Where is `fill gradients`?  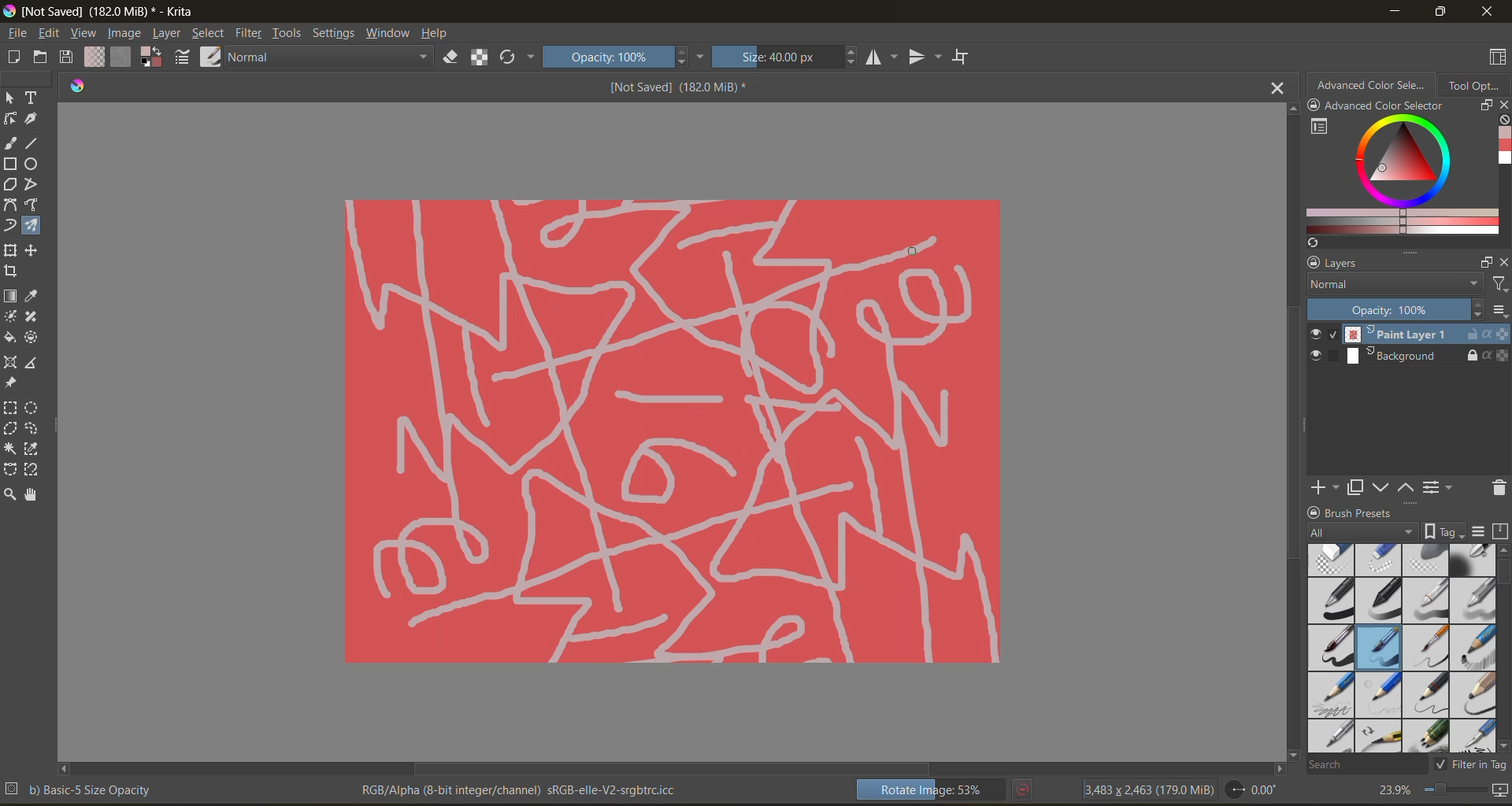 fill gradients is located at coordinates (94, 57).